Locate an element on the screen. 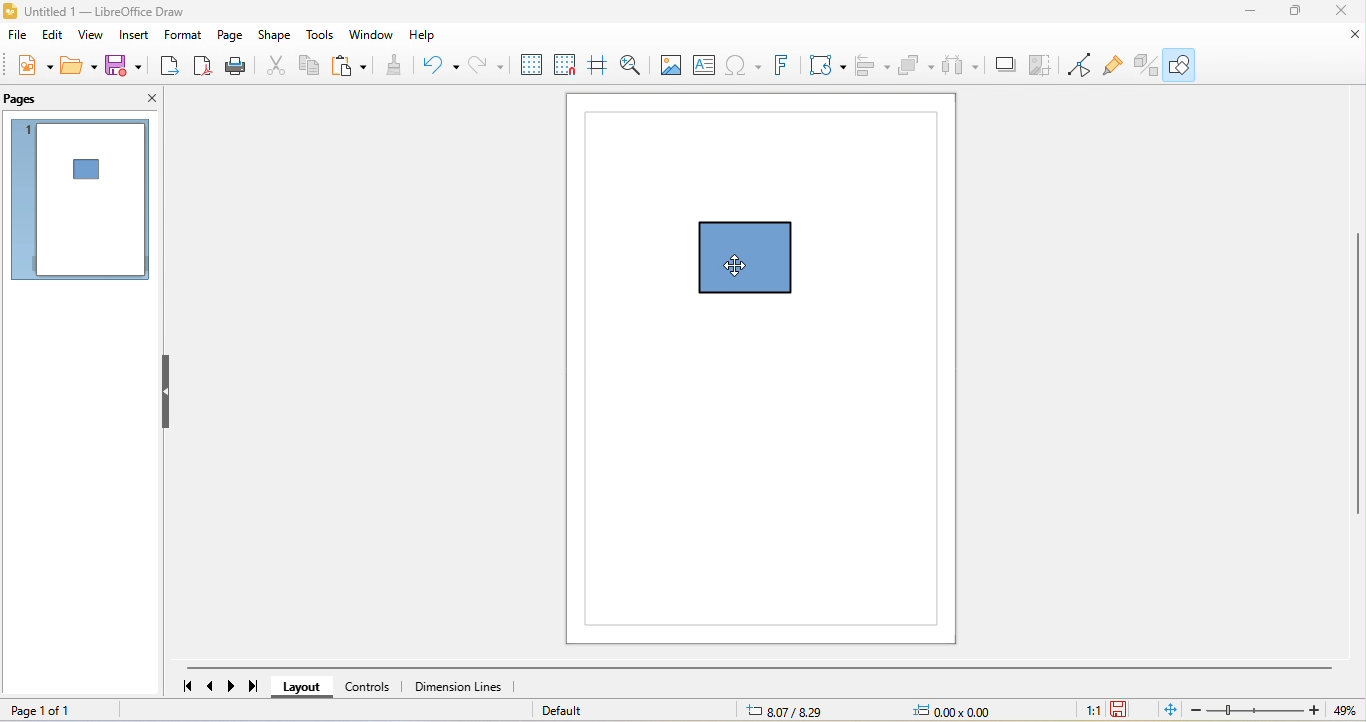  view is located at coordinates (89, 37).